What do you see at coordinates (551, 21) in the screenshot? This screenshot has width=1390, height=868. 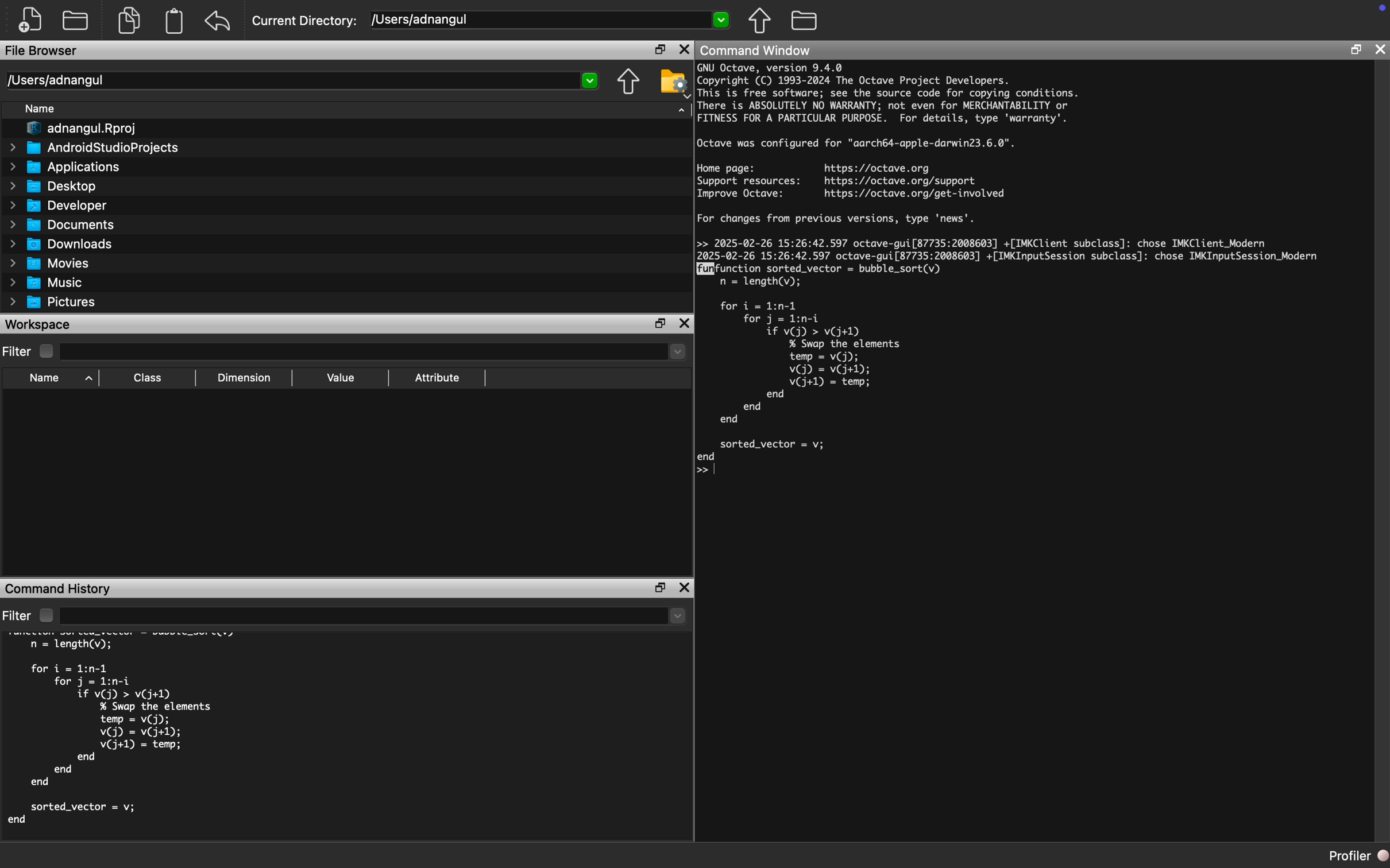 I see `/[Users/adnangul ` at bounding box center [551, 21].